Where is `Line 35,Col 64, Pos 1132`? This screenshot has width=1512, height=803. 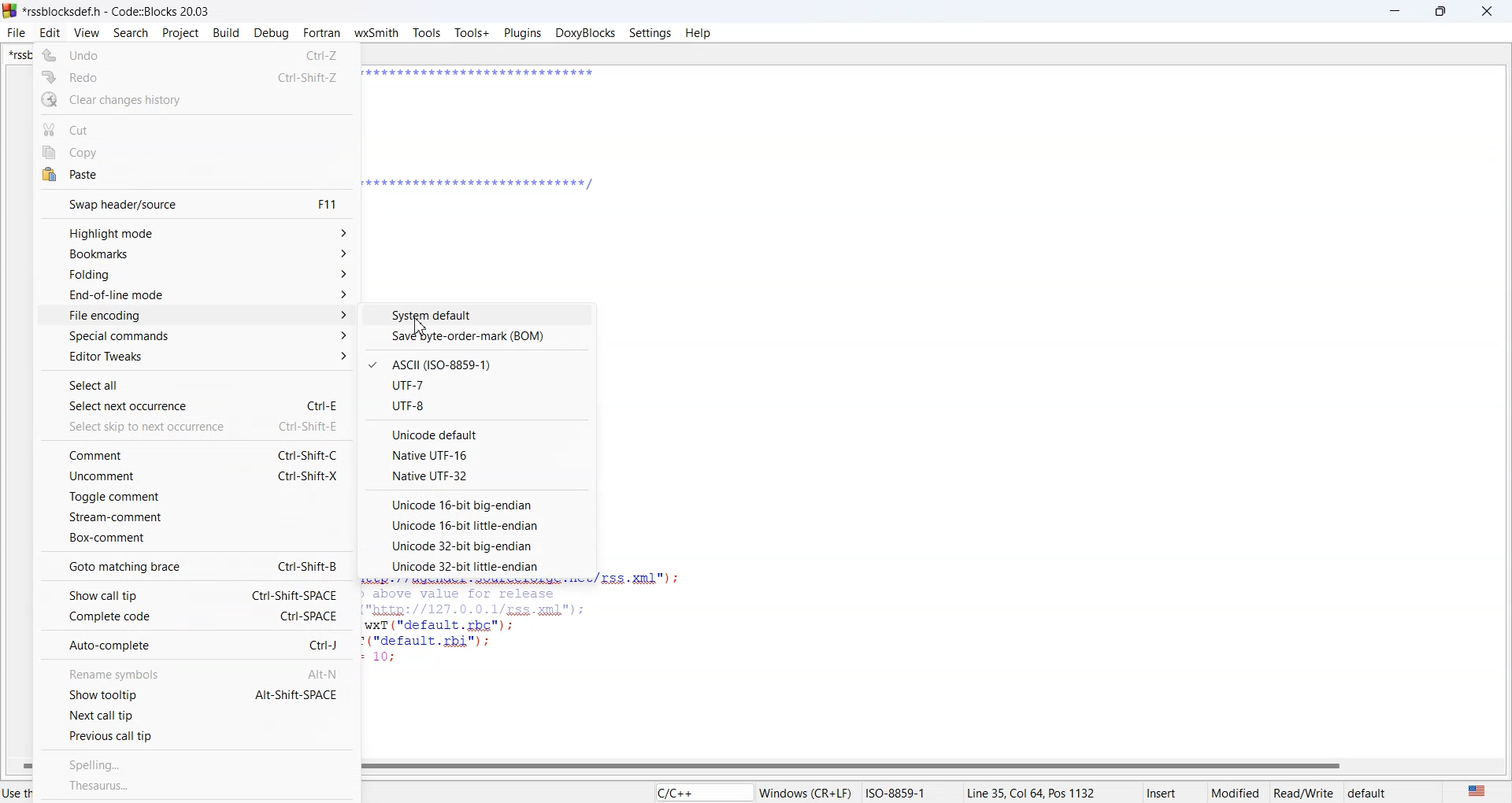
Line 35,Col 64, Pos 1132 is located at coordinates (1054, 791).